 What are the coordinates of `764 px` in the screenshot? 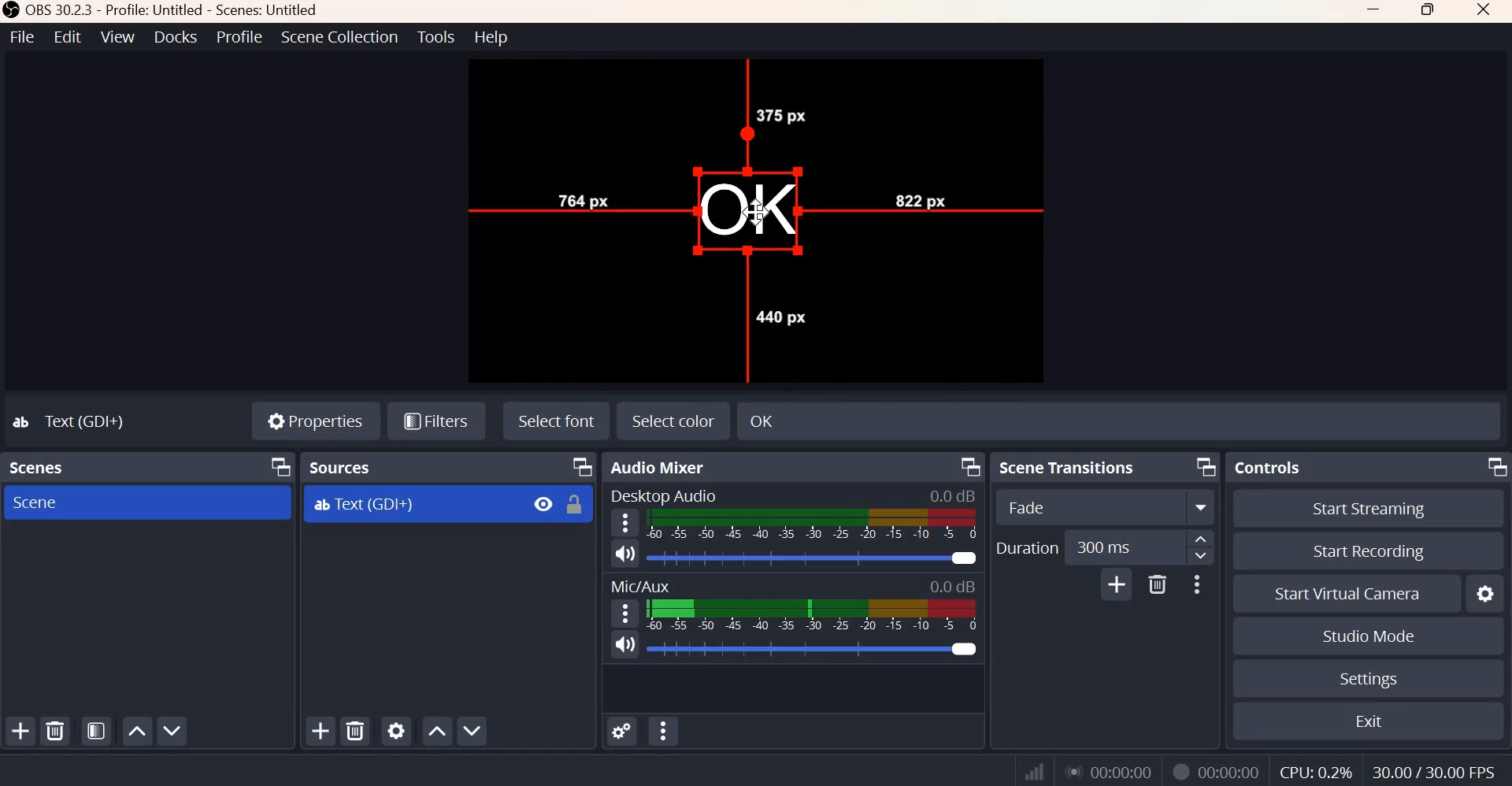 It's located at (582, 198).